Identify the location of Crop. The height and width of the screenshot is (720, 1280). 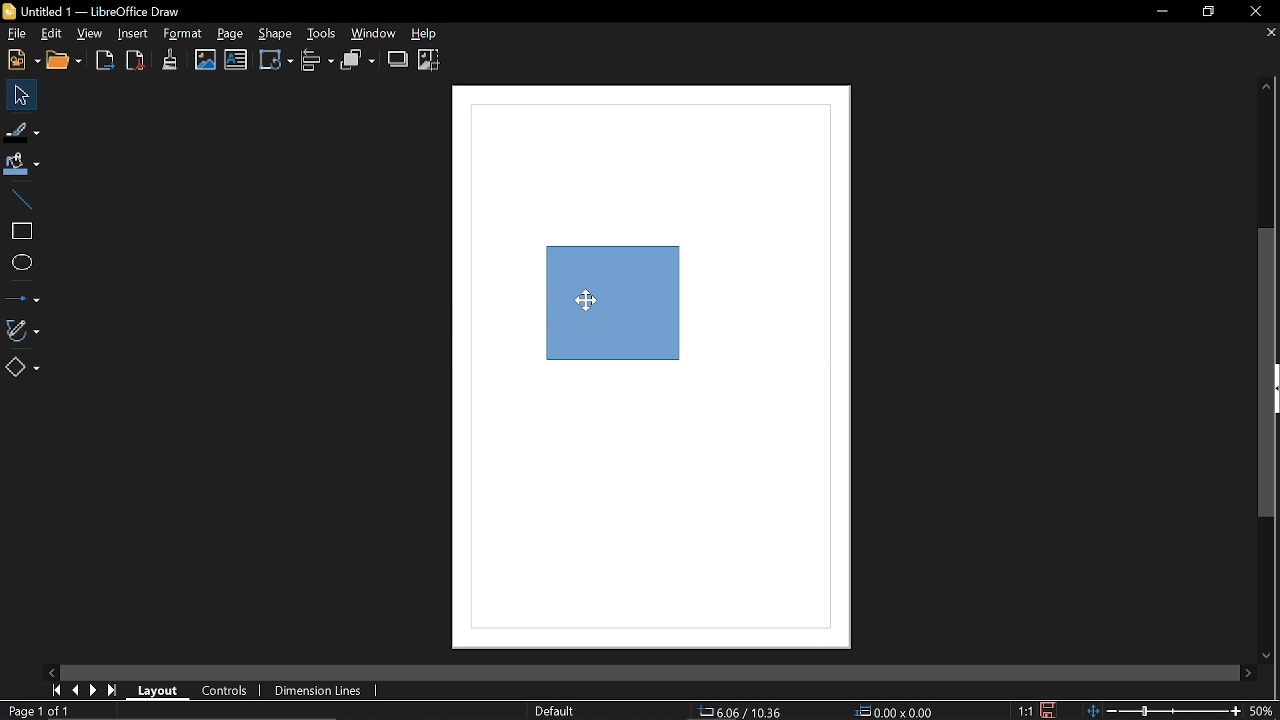
(429, 60).